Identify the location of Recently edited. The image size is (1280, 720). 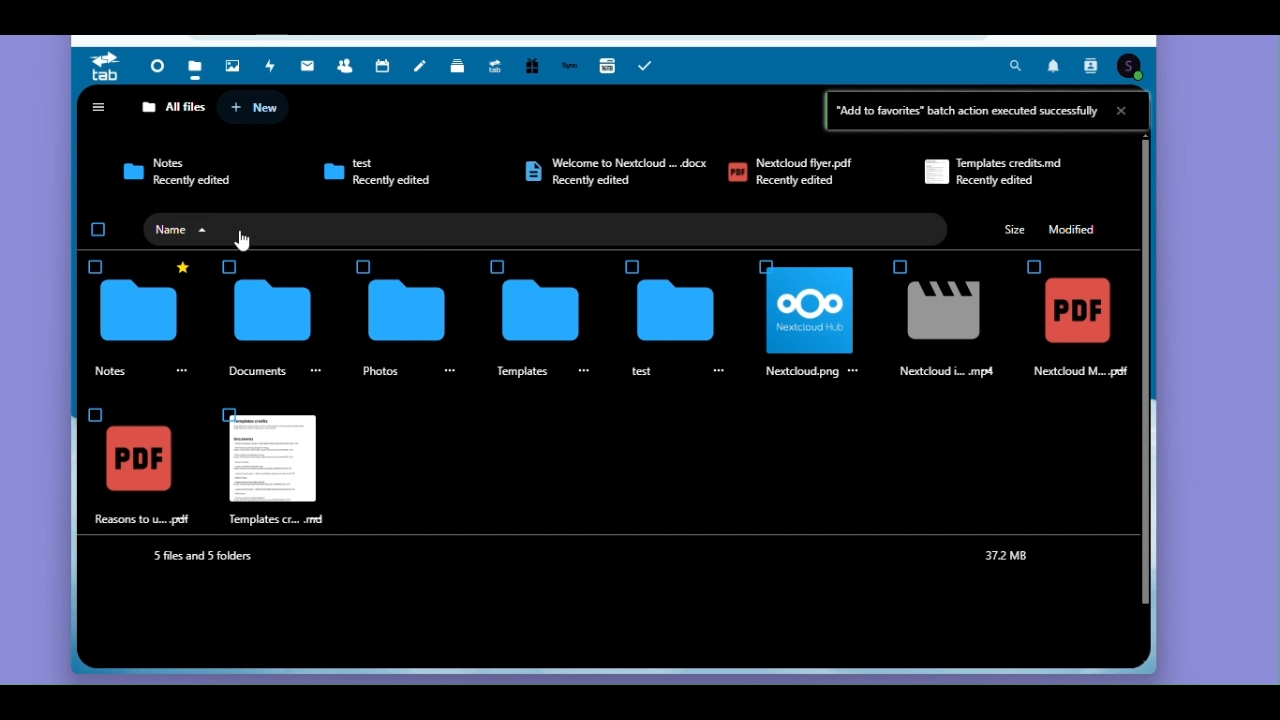
(596, 181).